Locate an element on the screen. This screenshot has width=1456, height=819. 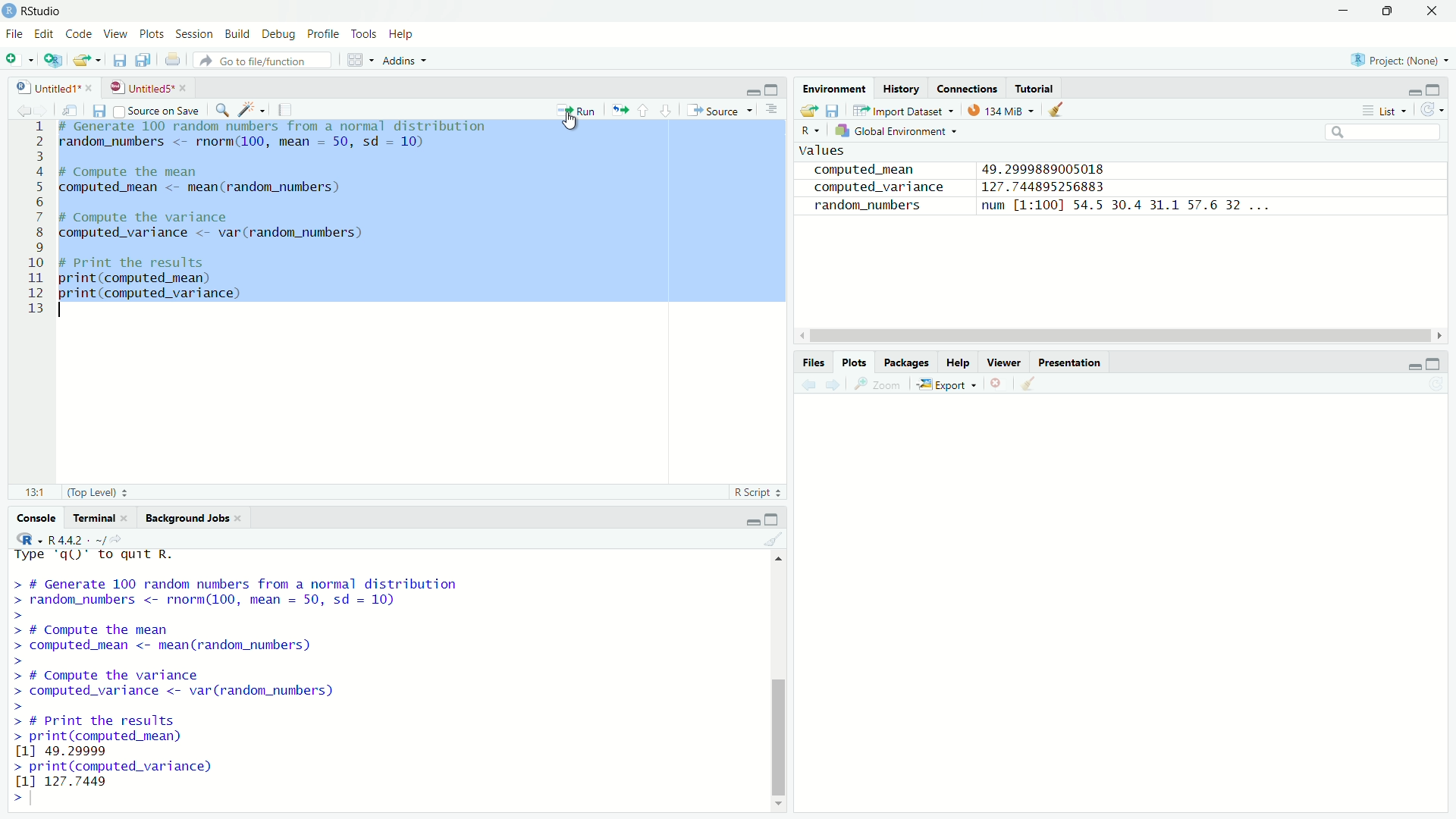
view is located at coordinates (118, 35).